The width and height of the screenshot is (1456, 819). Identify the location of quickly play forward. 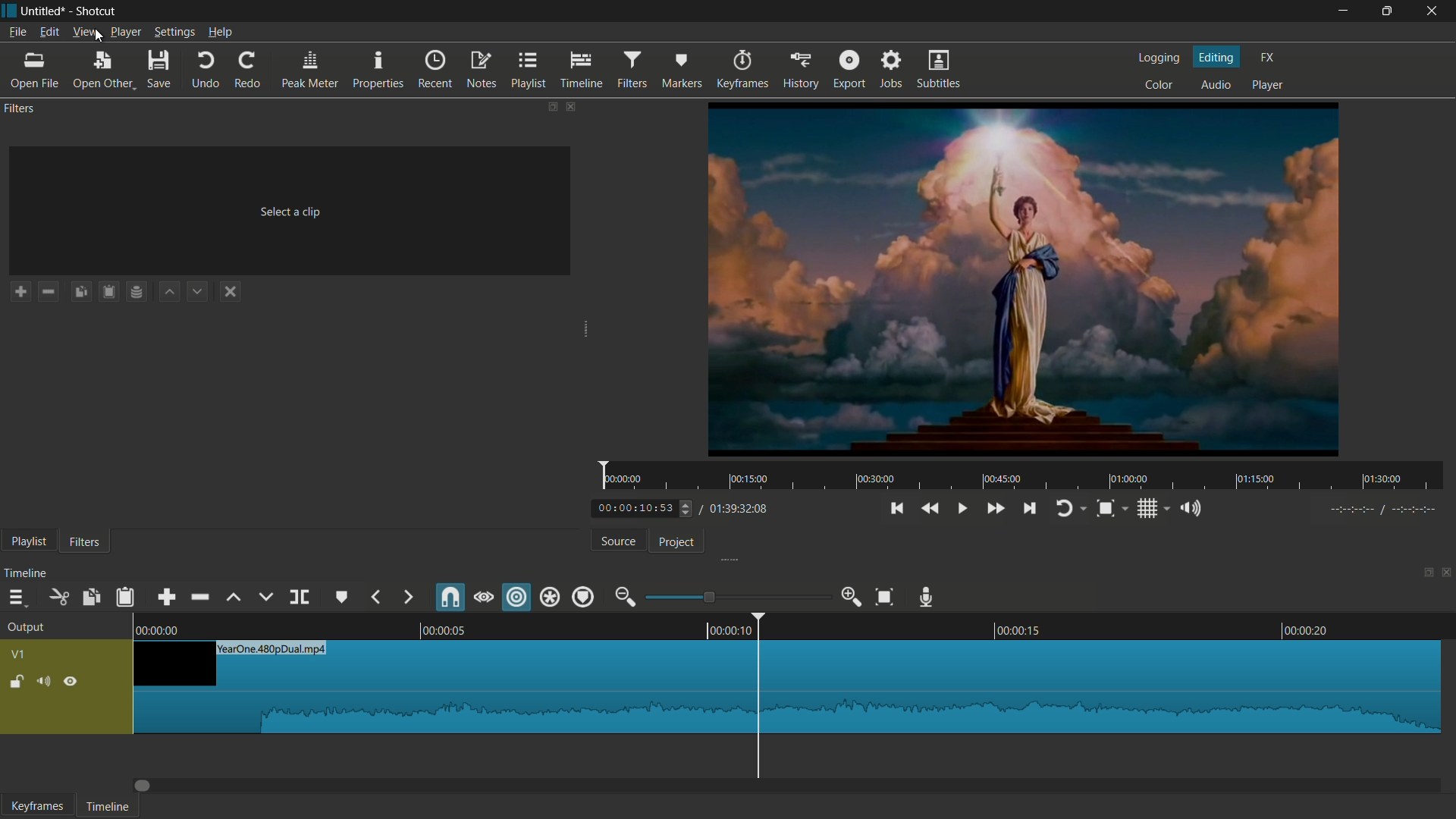
(996, 508).